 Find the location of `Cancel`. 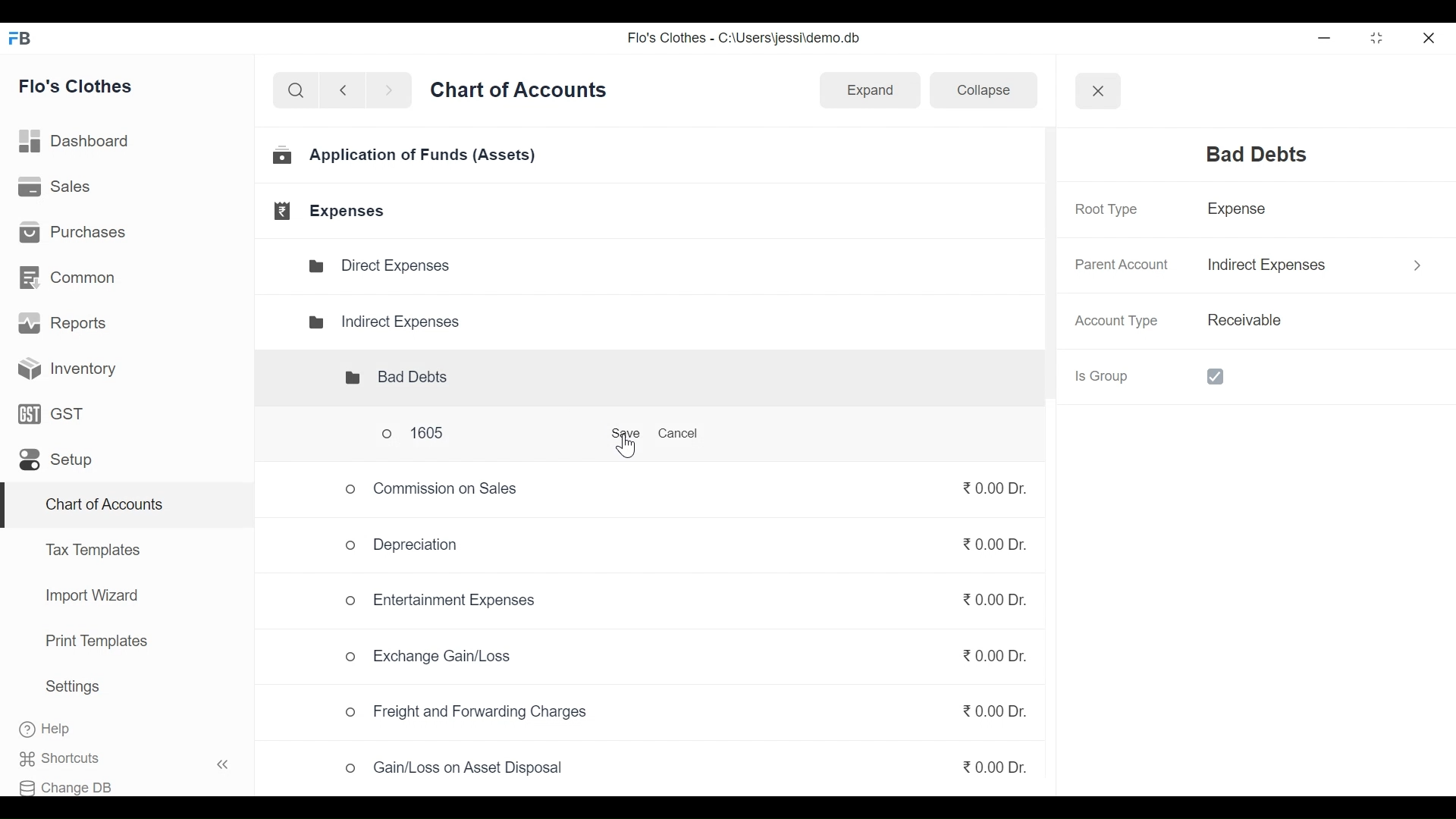

Cancel is located at coordinates (684, 435).